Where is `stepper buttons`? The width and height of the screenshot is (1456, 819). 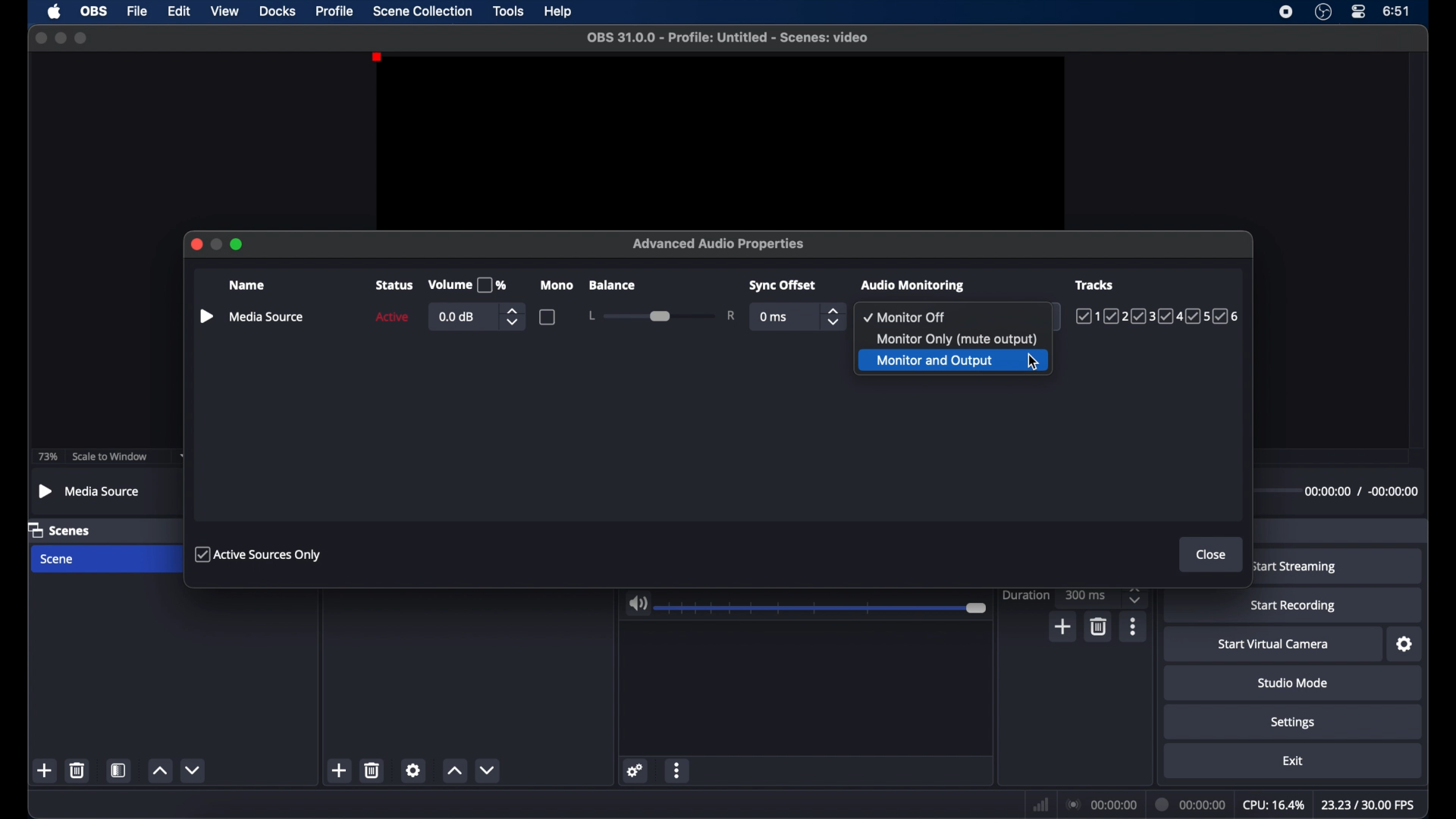
stepper buttons is located at coordinates (1136, 595).